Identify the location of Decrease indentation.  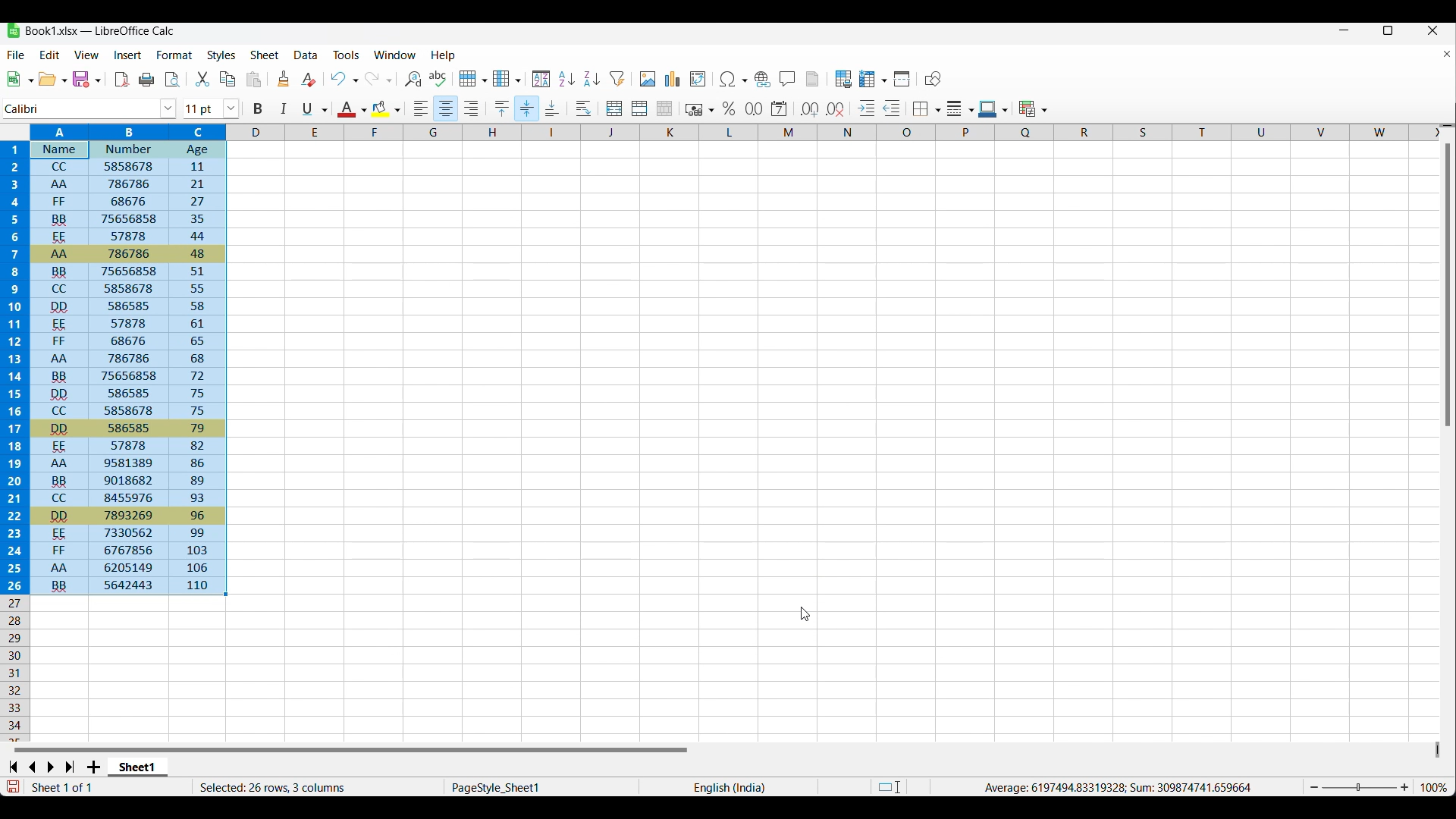
(893, 108).